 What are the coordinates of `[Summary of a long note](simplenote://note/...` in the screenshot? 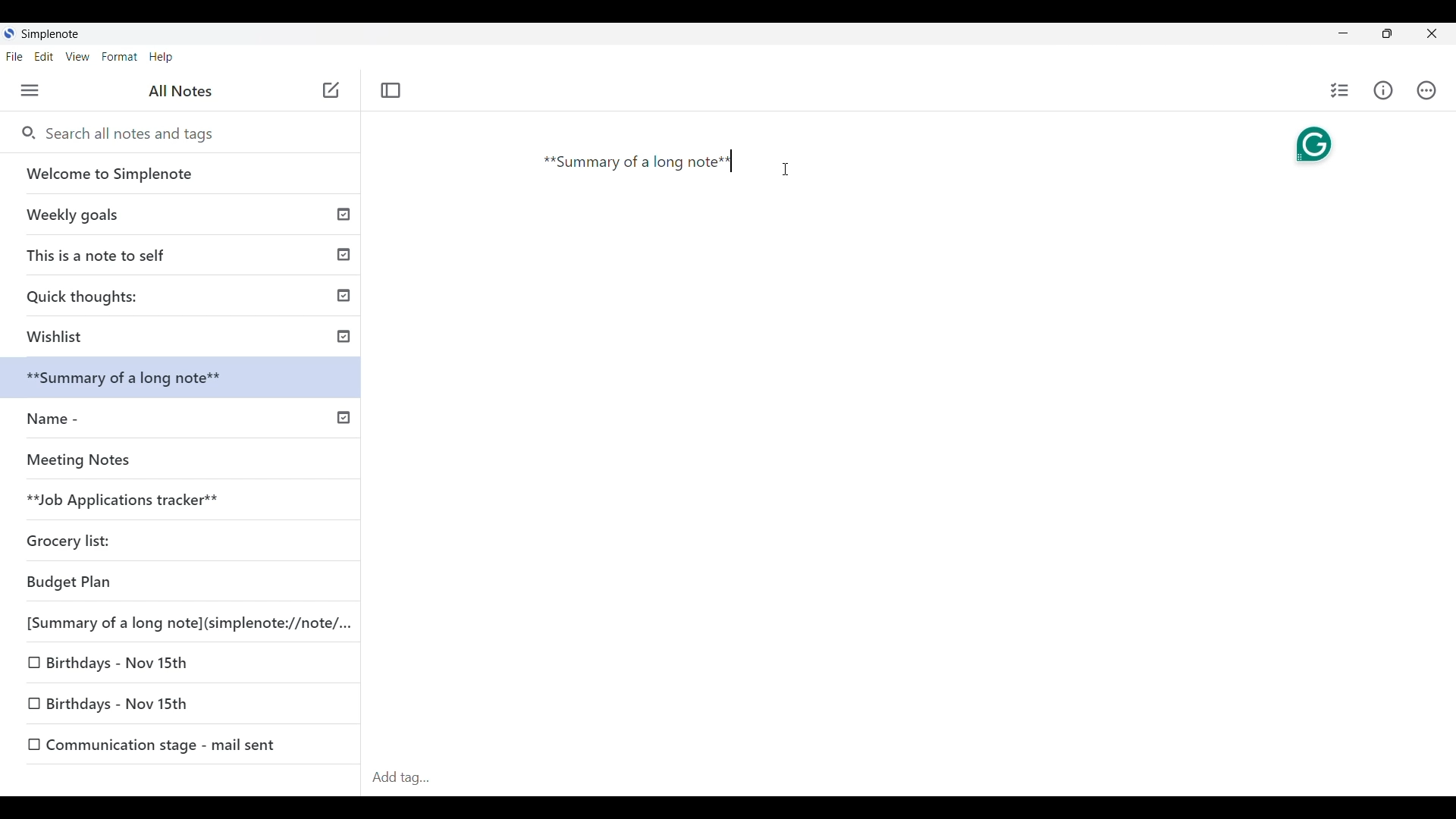 It's located at (188, 624).